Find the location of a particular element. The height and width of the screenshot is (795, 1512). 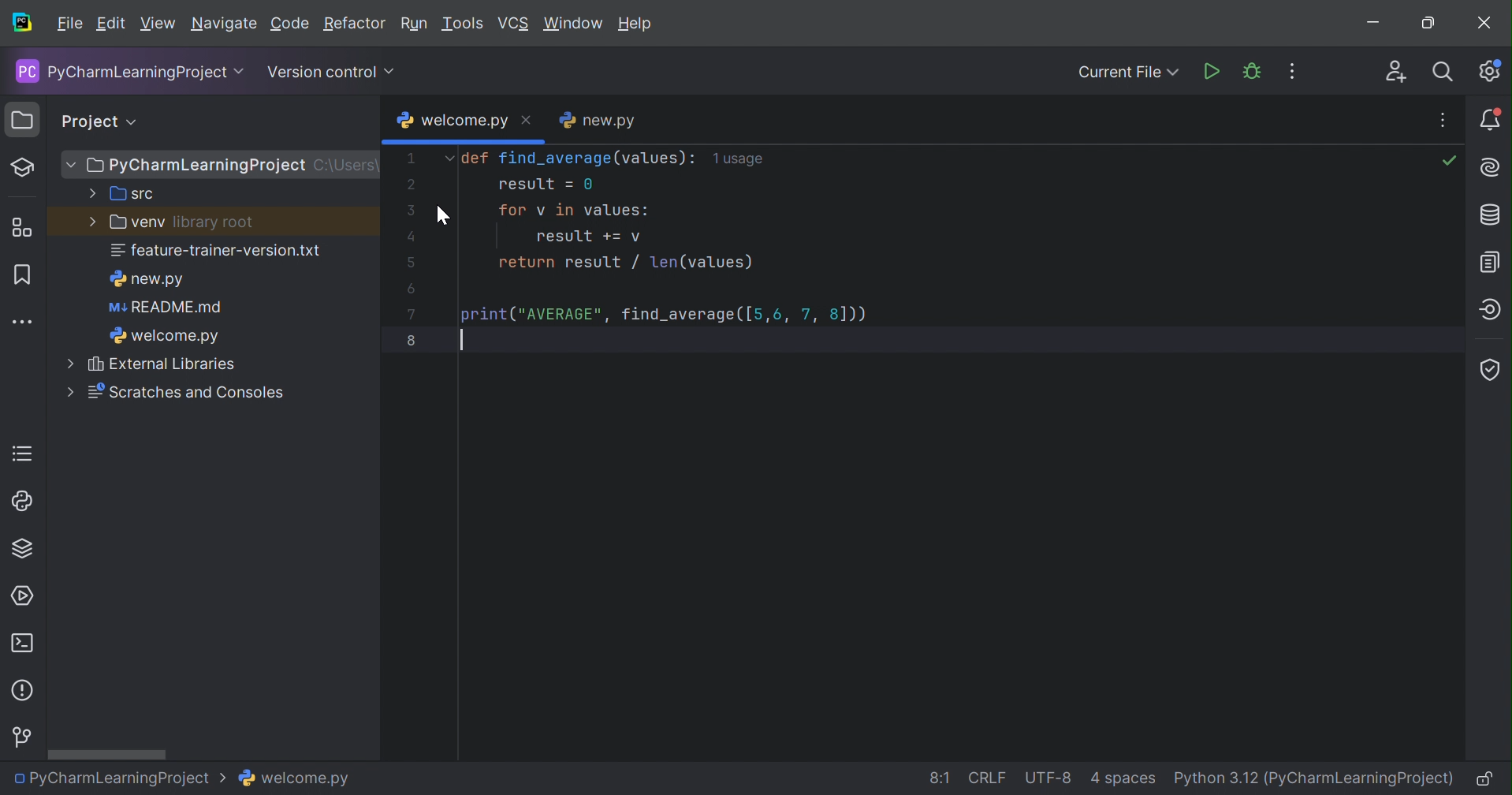

AI Assistant is located at coordinates (1489, 167).